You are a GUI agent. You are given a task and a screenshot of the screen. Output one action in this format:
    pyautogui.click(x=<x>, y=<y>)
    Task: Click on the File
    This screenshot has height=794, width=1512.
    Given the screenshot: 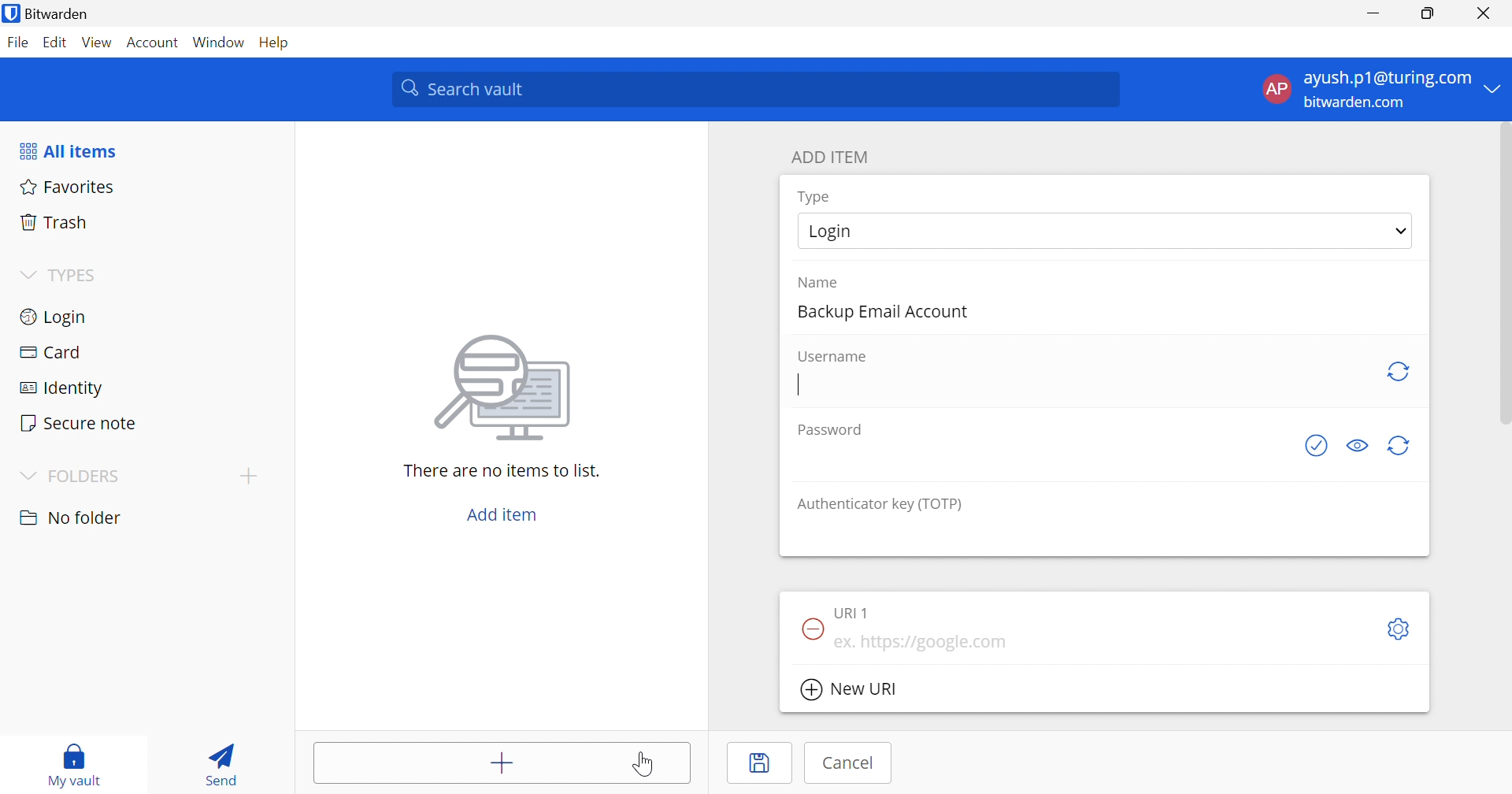 What is the action you would take?
    pyautogui.click(x=17, y=42)
    